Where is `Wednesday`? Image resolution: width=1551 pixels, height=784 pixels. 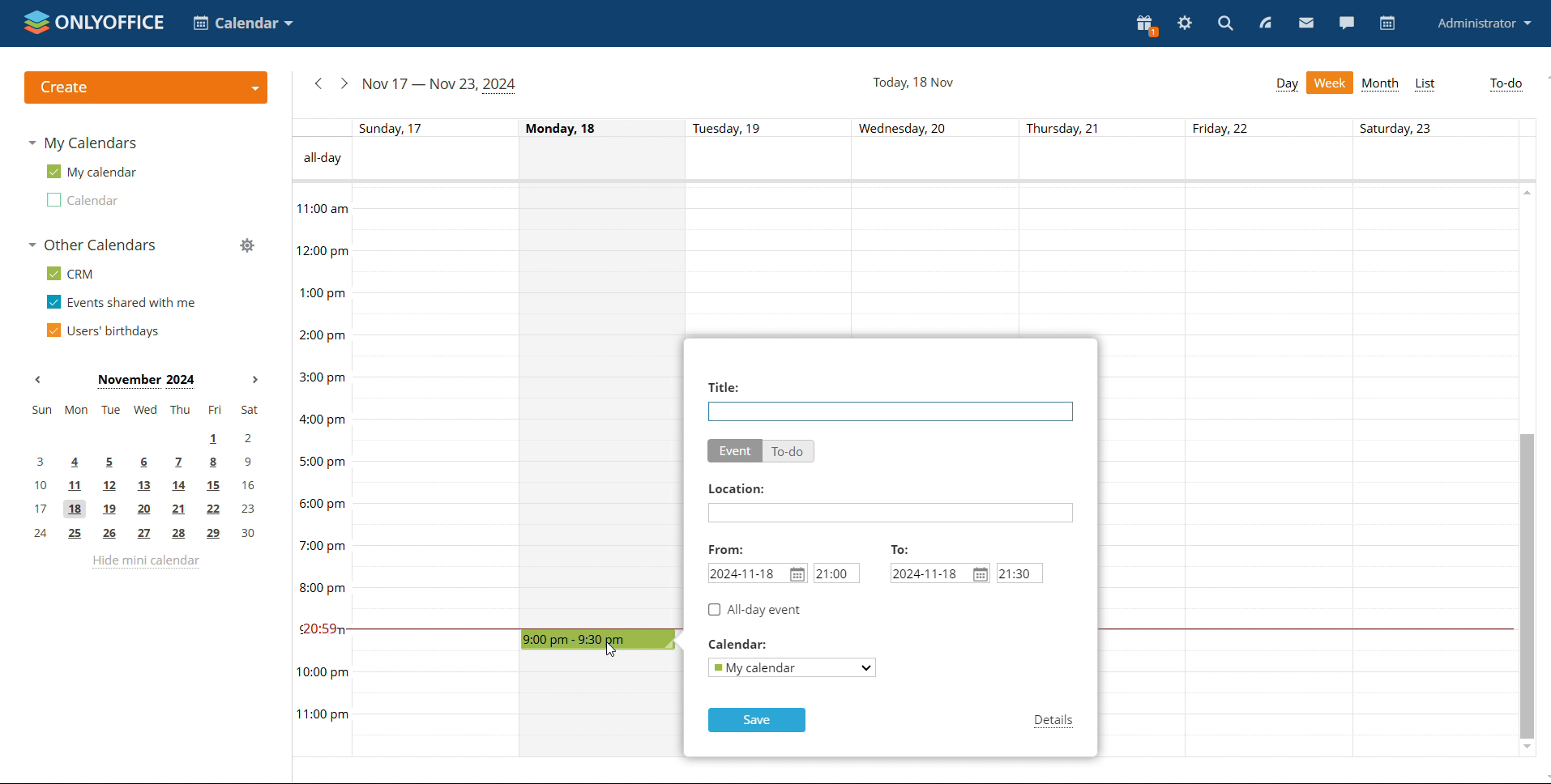
Wednesday is located at coordinates (601, 714).